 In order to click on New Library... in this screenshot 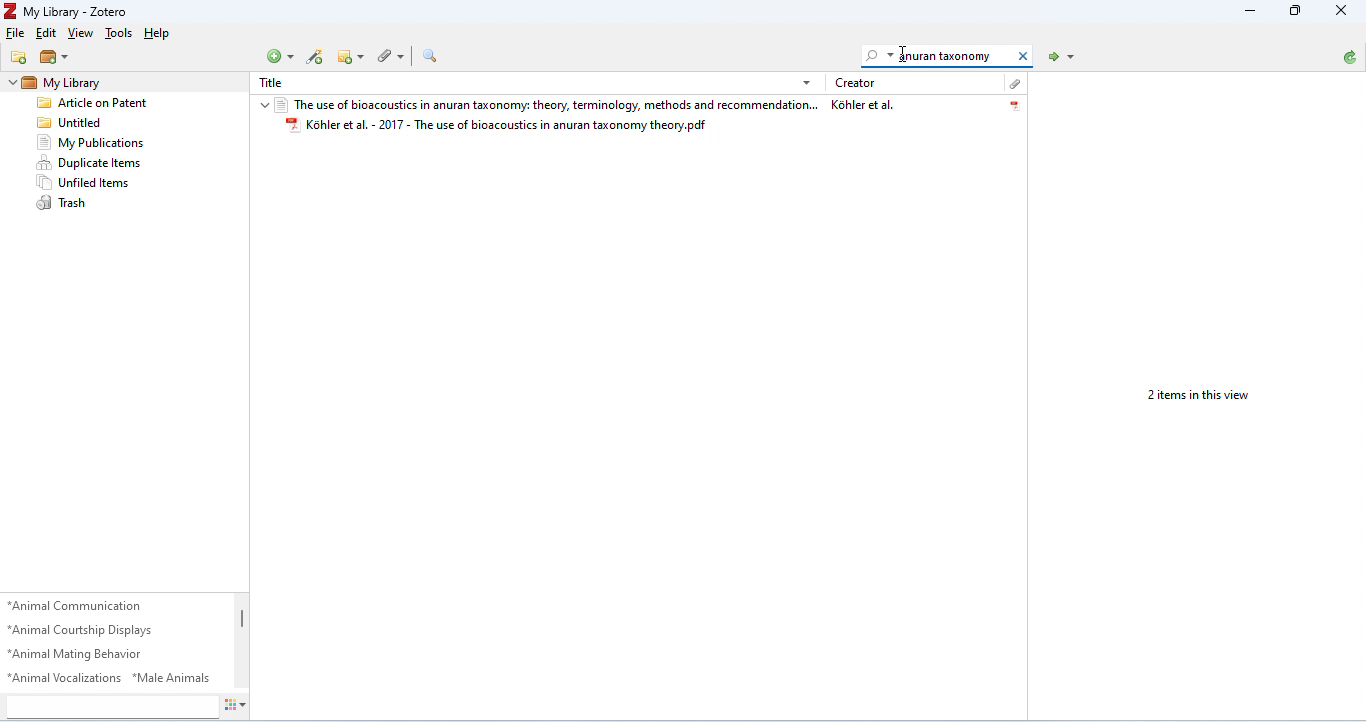, I will do `click(55, 58)`.